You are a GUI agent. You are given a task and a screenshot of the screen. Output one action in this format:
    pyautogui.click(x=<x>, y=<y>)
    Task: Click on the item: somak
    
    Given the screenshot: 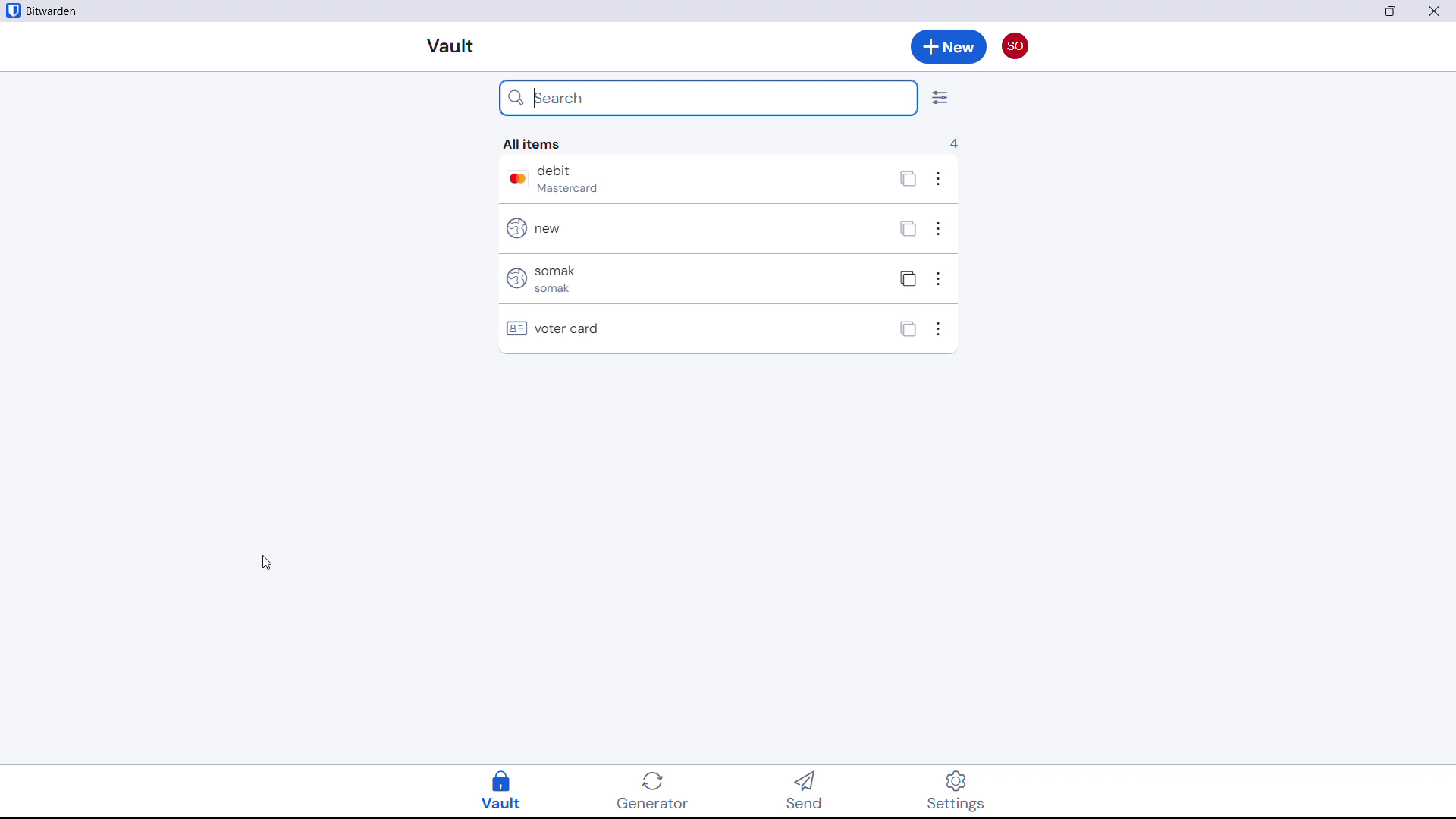 What is the action you would take?
    pyautogui.click(x=701, y=277)
    